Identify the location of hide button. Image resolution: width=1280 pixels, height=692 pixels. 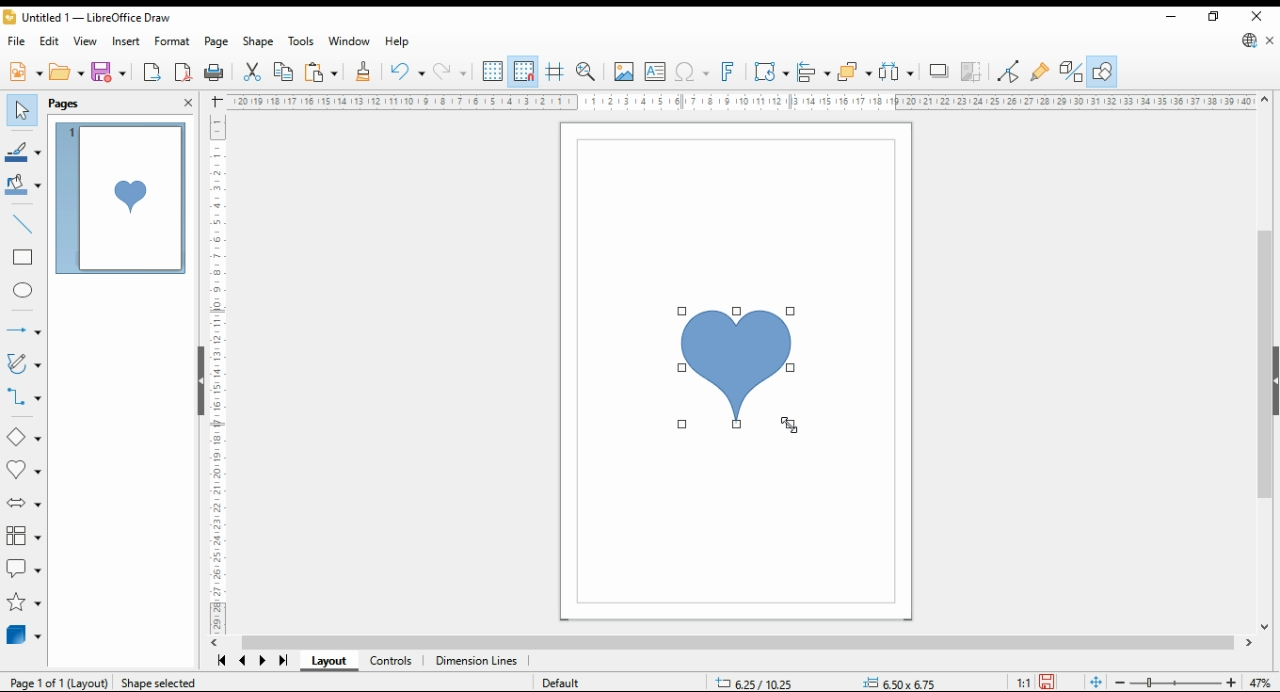
(199, 380).